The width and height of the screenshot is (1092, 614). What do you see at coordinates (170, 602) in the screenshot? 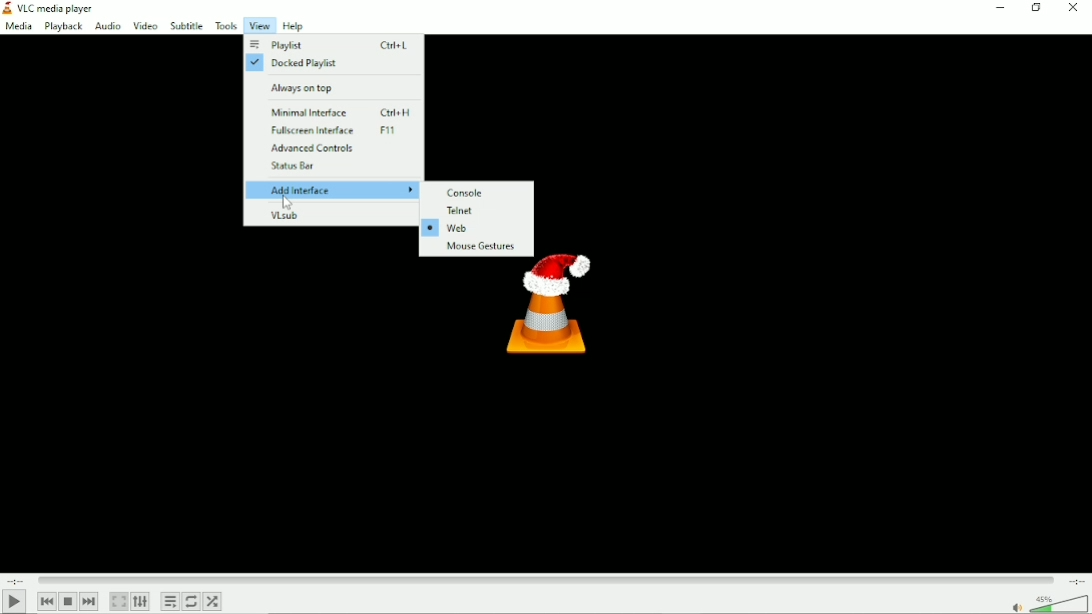
I see `Toggle playlist` at bounding box center [170, 602].